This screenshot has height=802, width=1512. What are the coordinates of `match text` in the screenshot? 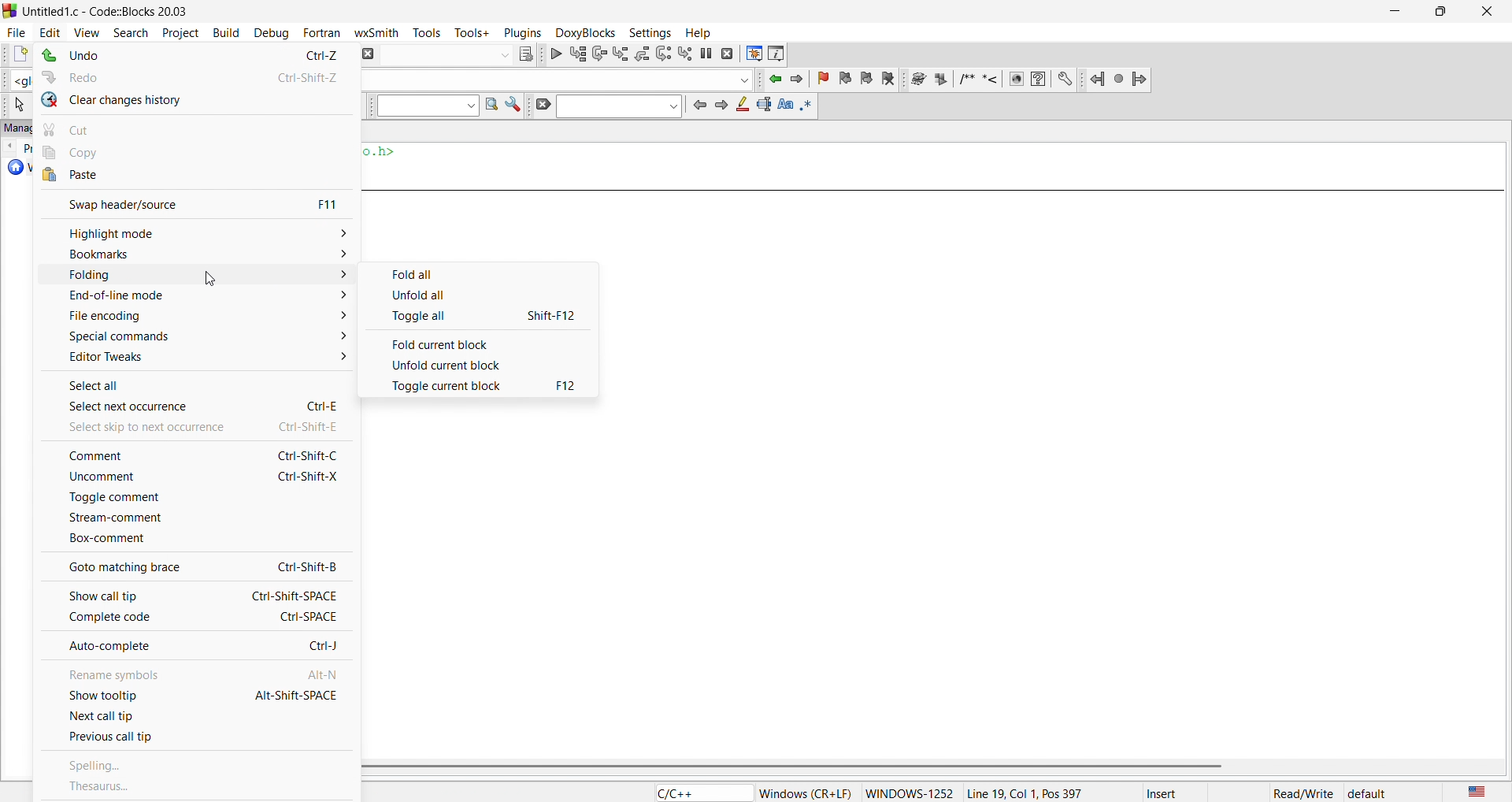 It's located at (784, 104).